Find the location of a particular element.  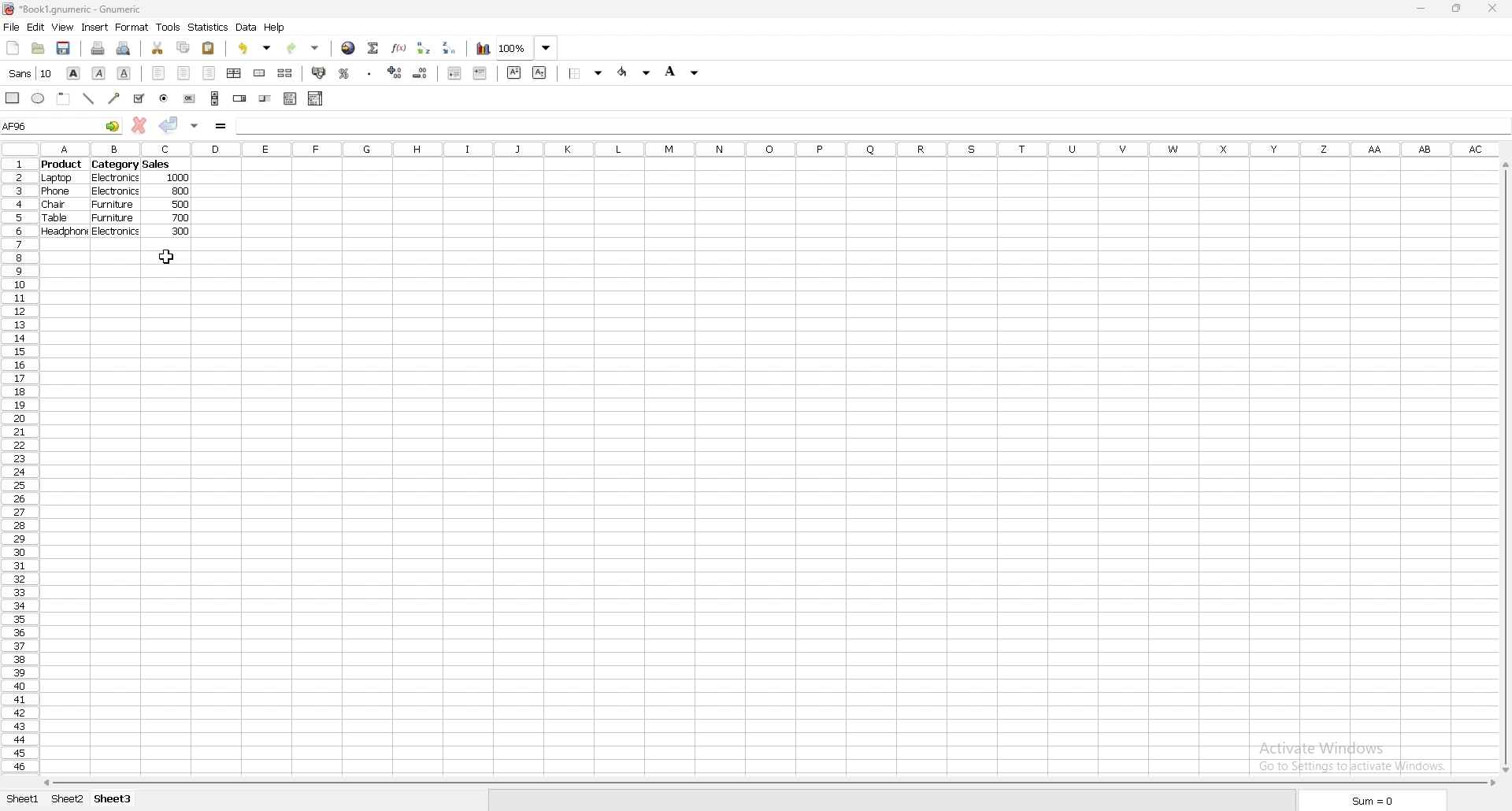

open is located at coordinates (39, 46).